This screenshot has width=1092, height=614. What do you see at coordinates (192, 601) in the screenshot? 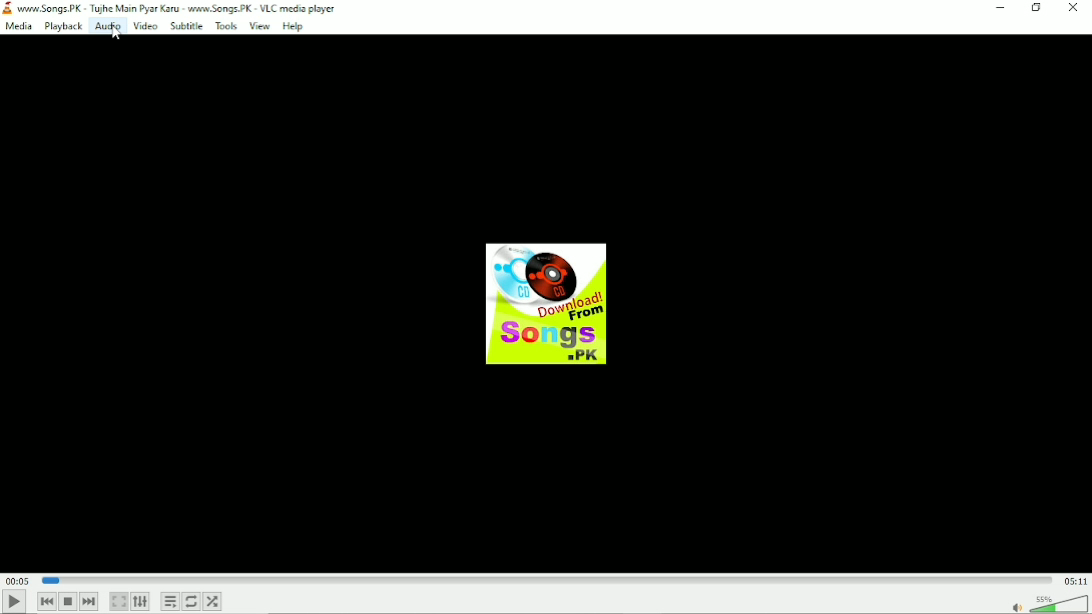
I see `Toggle between loop all, loop one and no loop` at bounding box center [192, 601].